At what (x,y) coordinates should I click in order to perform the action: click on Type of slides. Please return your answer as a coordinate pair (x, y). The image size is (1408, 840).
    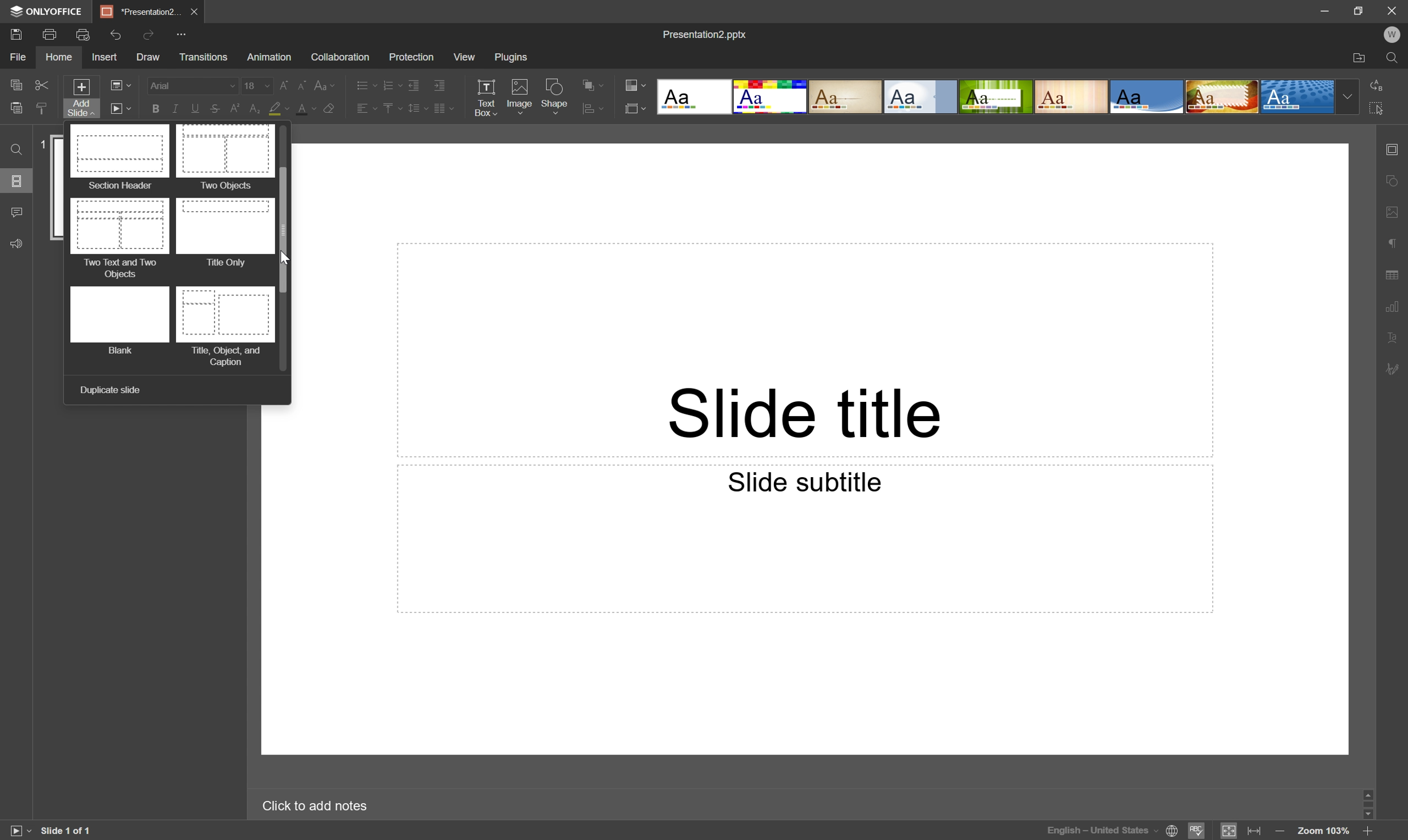
    Looking at the image, I should click on (170, 247).